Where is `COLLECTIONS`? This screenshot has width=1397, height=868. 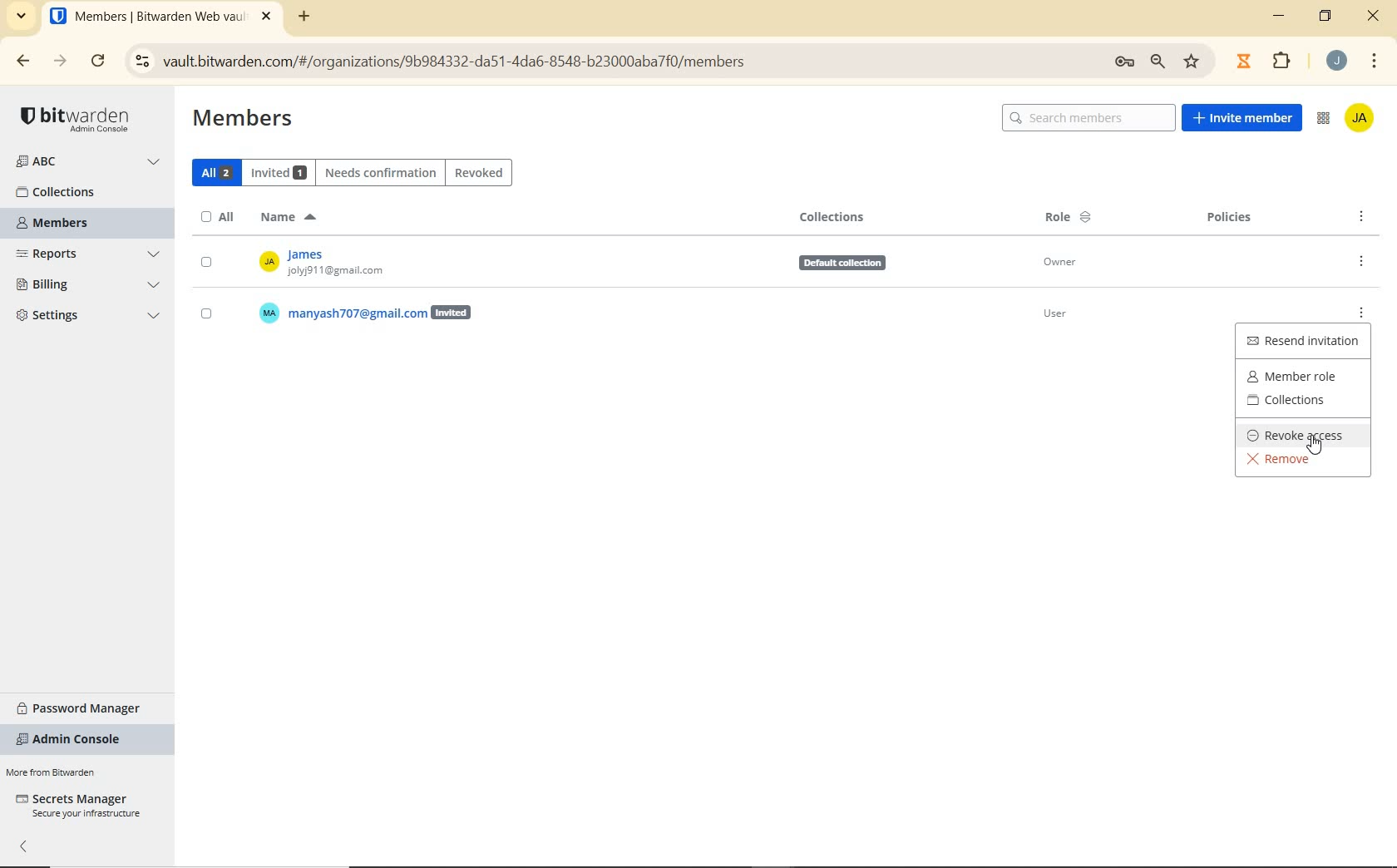
COLLECTIONS is located at coordinates (72, 192).